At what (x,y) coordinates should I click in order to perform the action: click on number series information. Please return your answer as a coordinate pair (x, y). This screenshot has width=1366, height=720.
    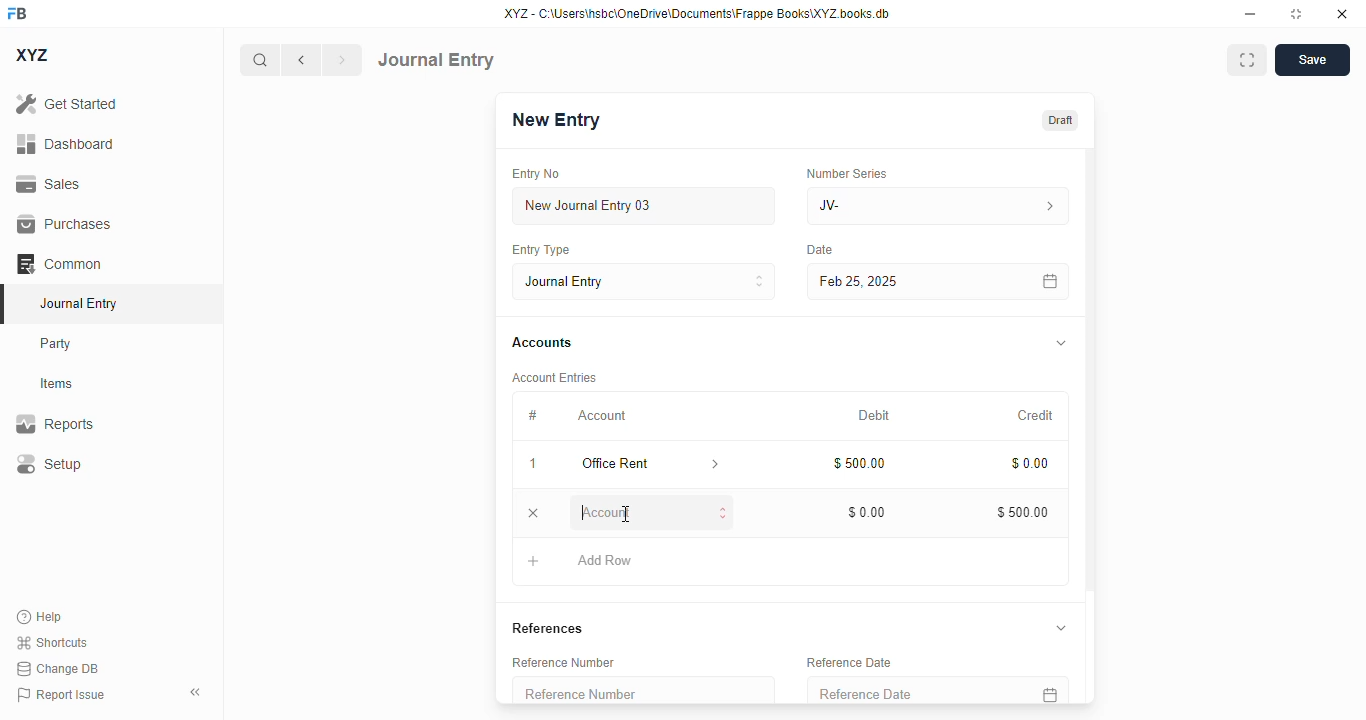
    Looking at the image, I should click on (1048, 207).